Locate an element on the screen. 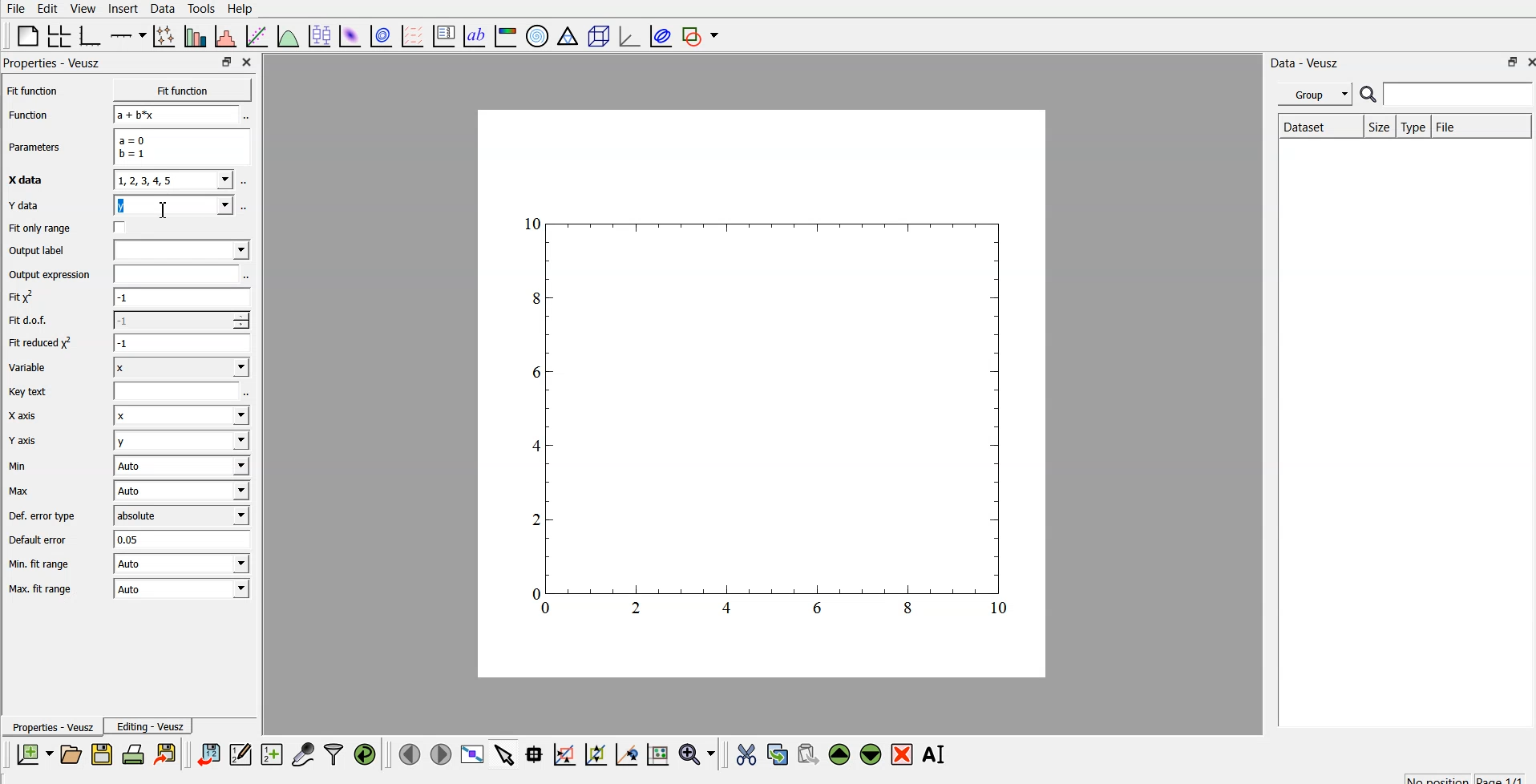  select items from graph is located at coordinates (507, 757).